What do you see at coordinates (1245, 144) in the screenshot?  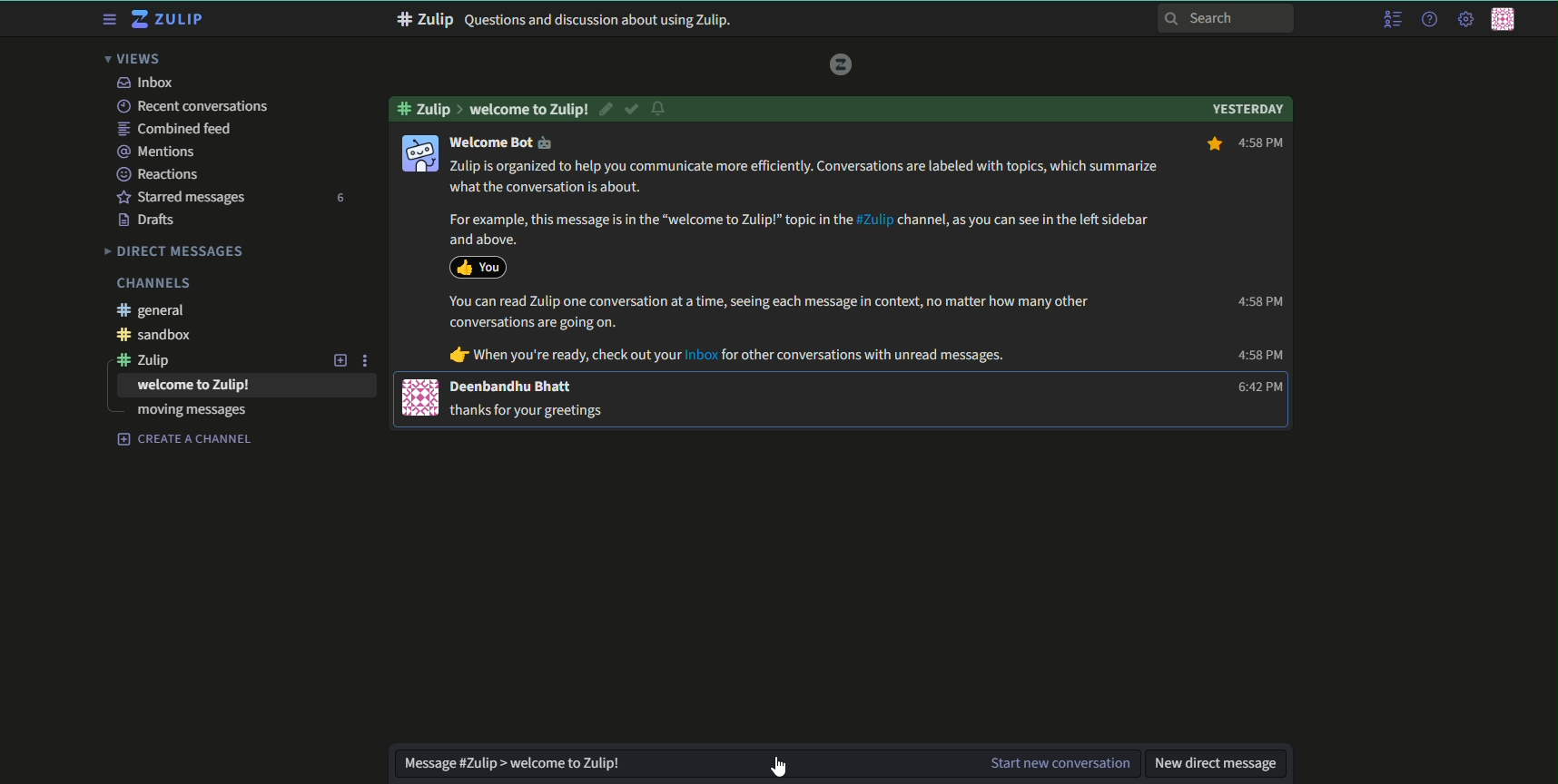 I see `4:58 PM` at bounding box center [1245, 144].